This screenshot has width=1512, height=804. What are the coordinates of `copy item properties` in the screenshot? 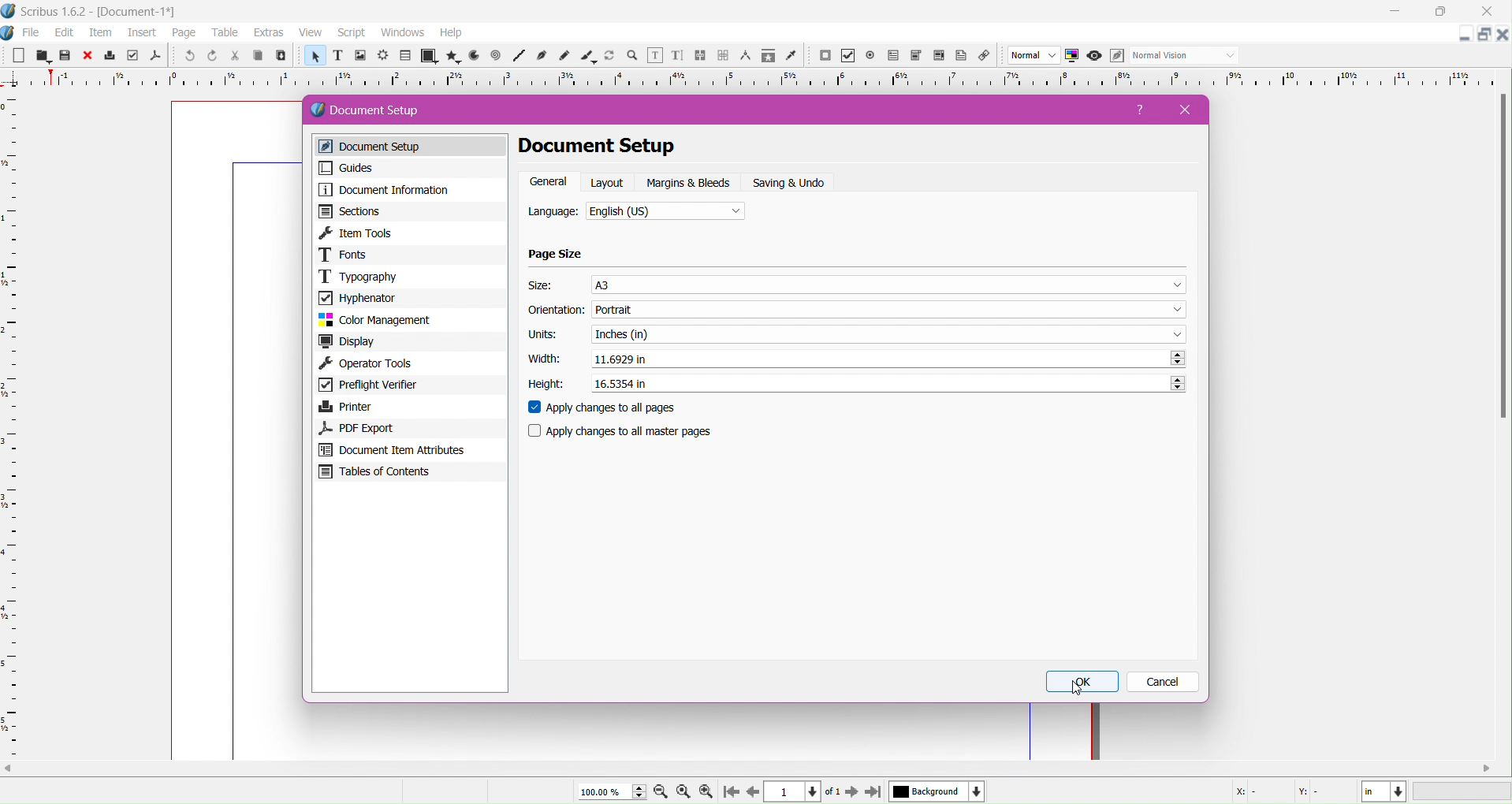 It's located at (768, 58).